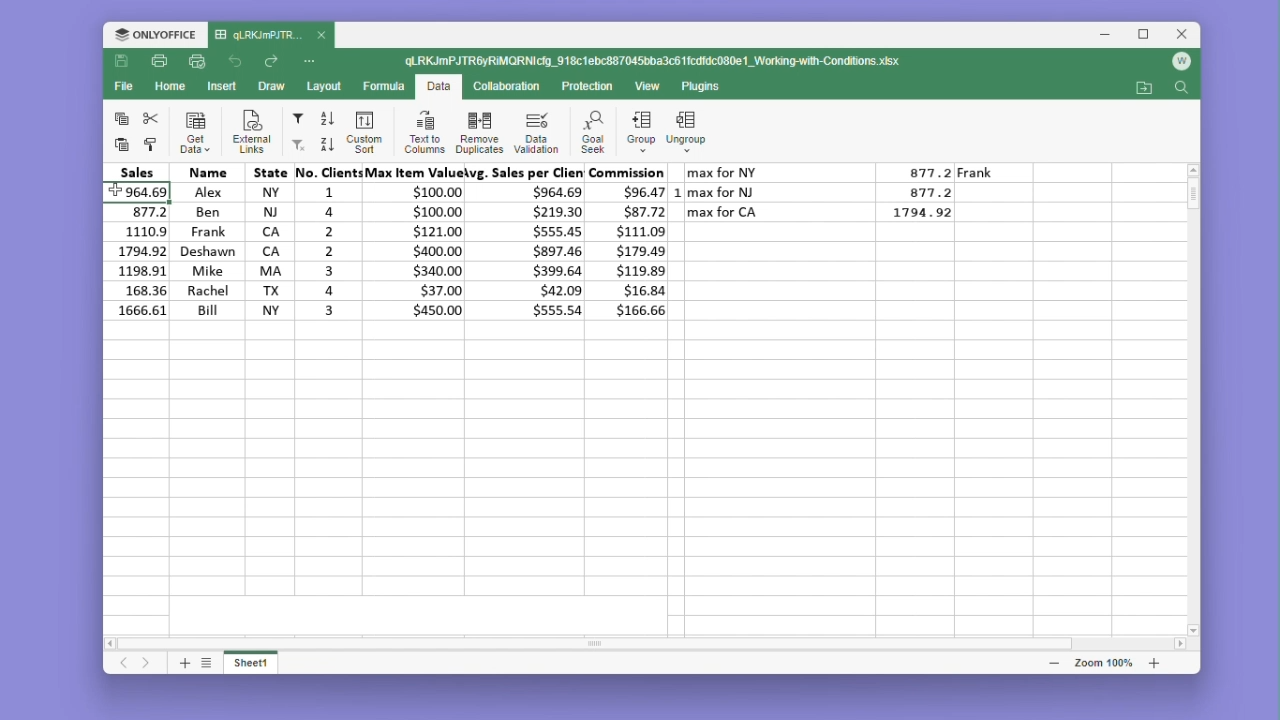  What do you see at coordinates (326, 144) in the screenshot?
I see `sort descending` at bounding box center [326, 144].